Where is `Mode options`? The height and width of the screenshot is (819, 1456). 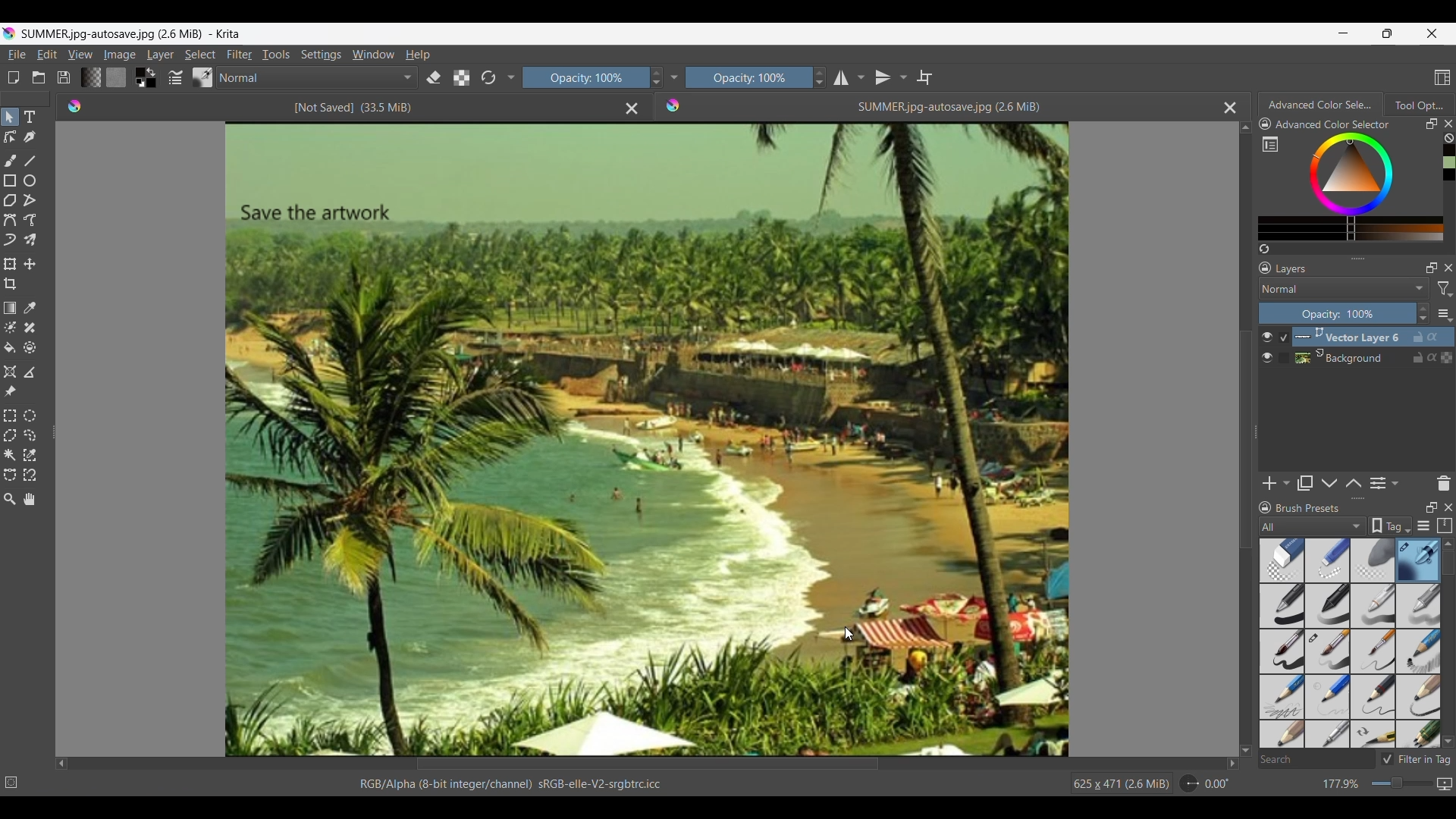 Mode options is located at coordinates (318, 77).